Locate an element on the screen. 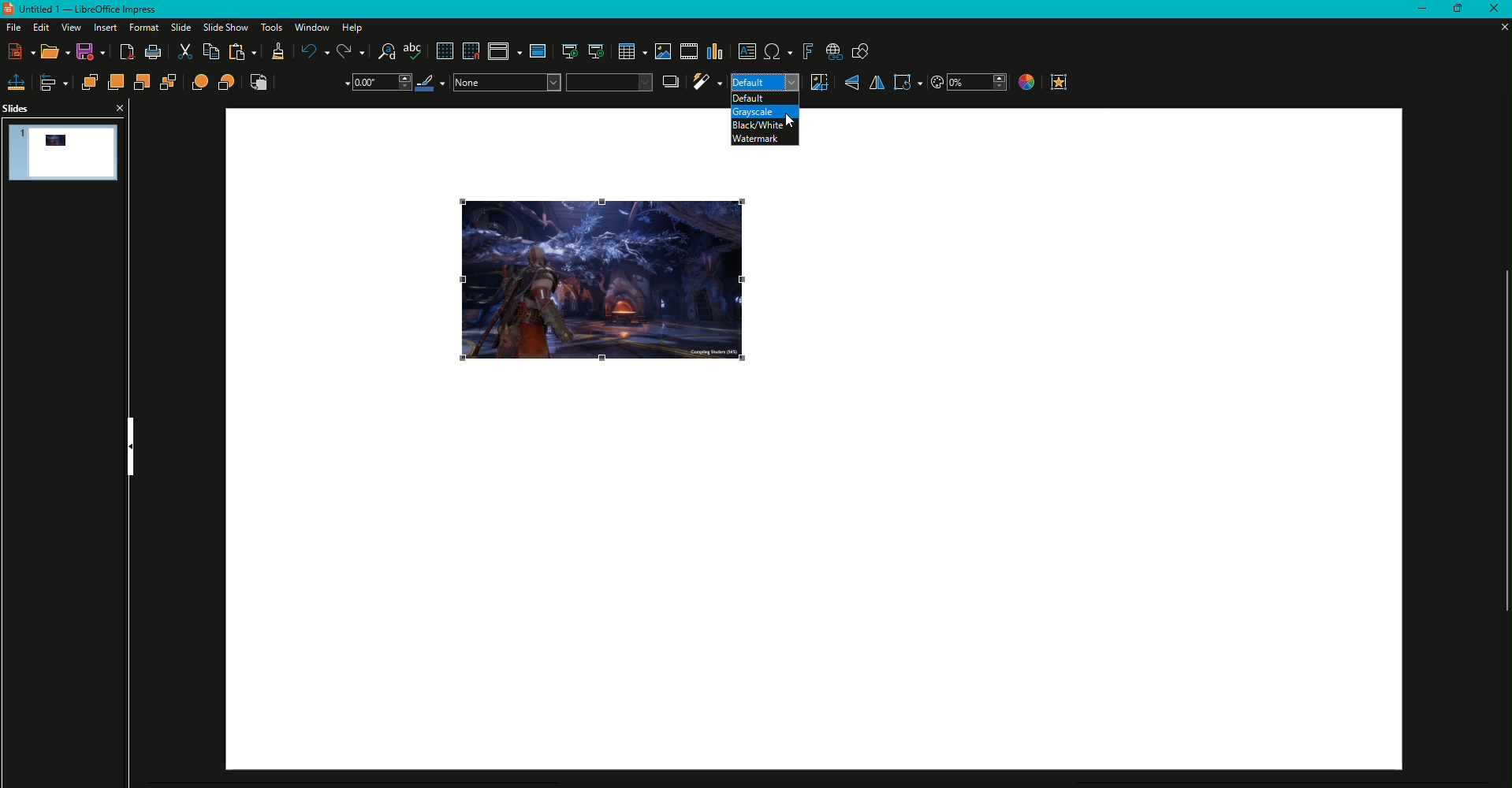 The width and height of the screenshot is (1512, 788). Slide Preview is located at coordinates (65, 151).